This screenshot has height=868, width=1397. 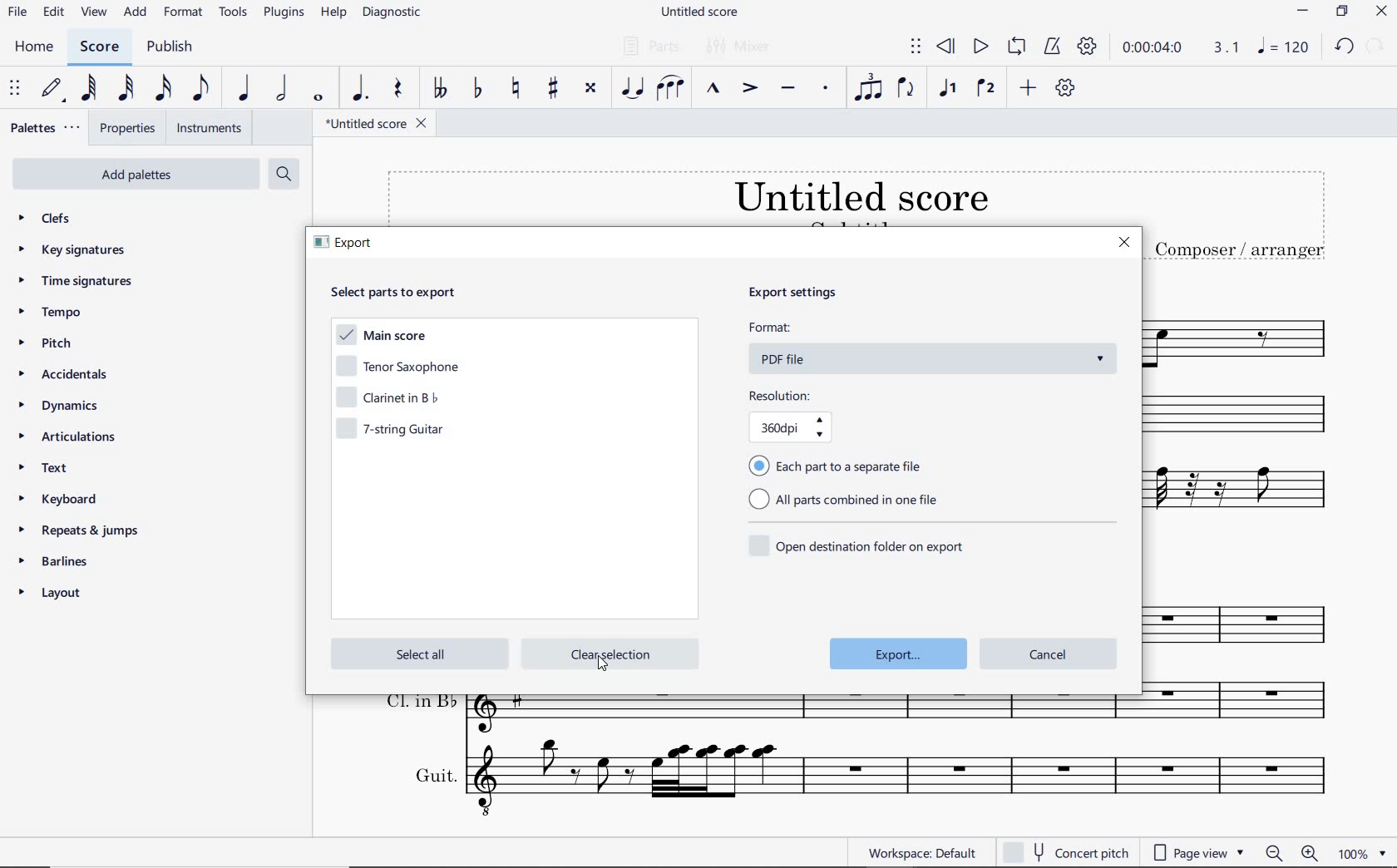 What do you see at coordinates (858, 544) in the screenshot?
I see `open destination folder on export` at bounding box center [858, 544].